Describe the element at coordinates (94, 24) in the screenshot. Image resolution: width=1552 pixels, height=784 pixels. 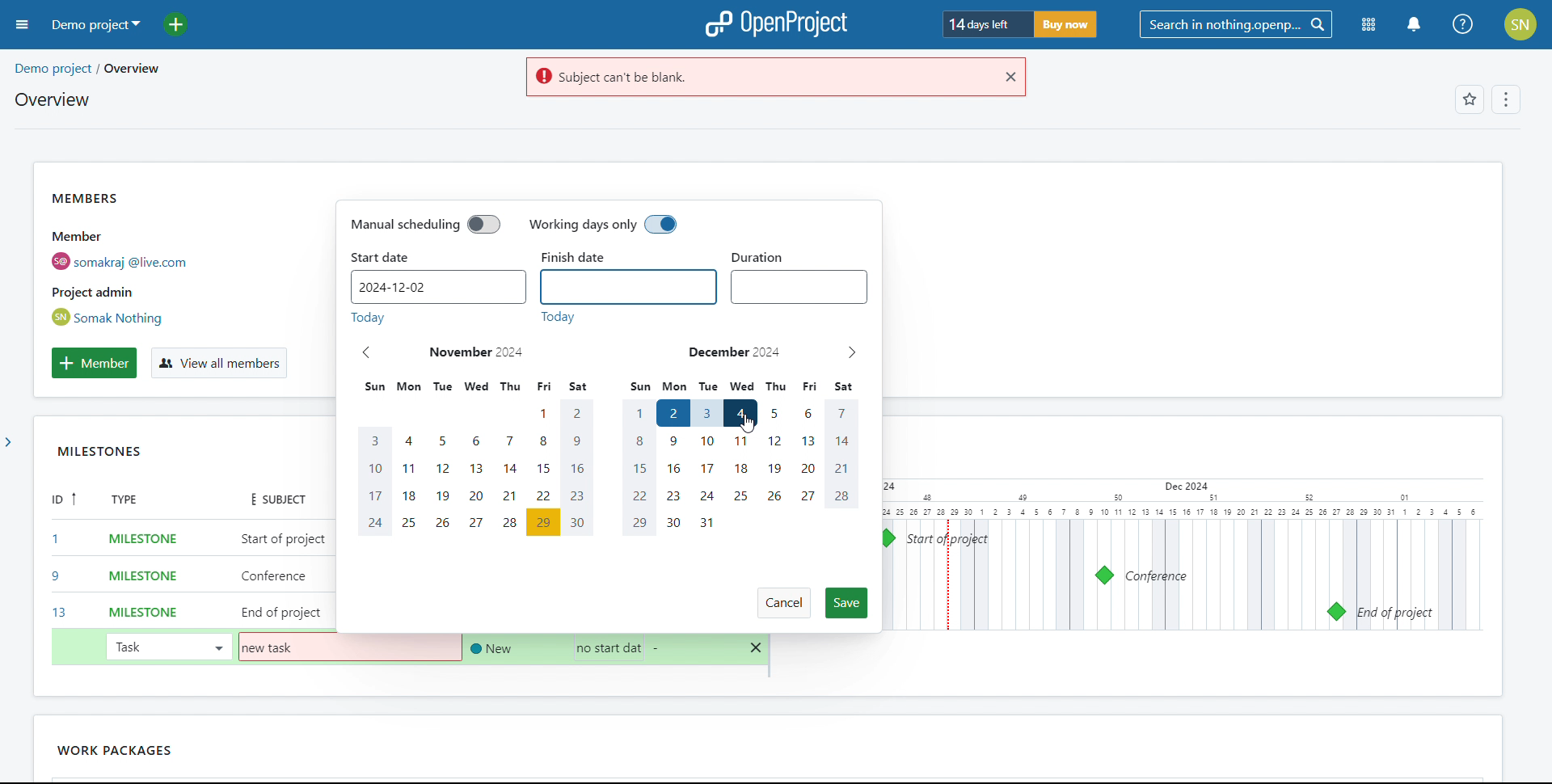
I see `demo project` at that location.